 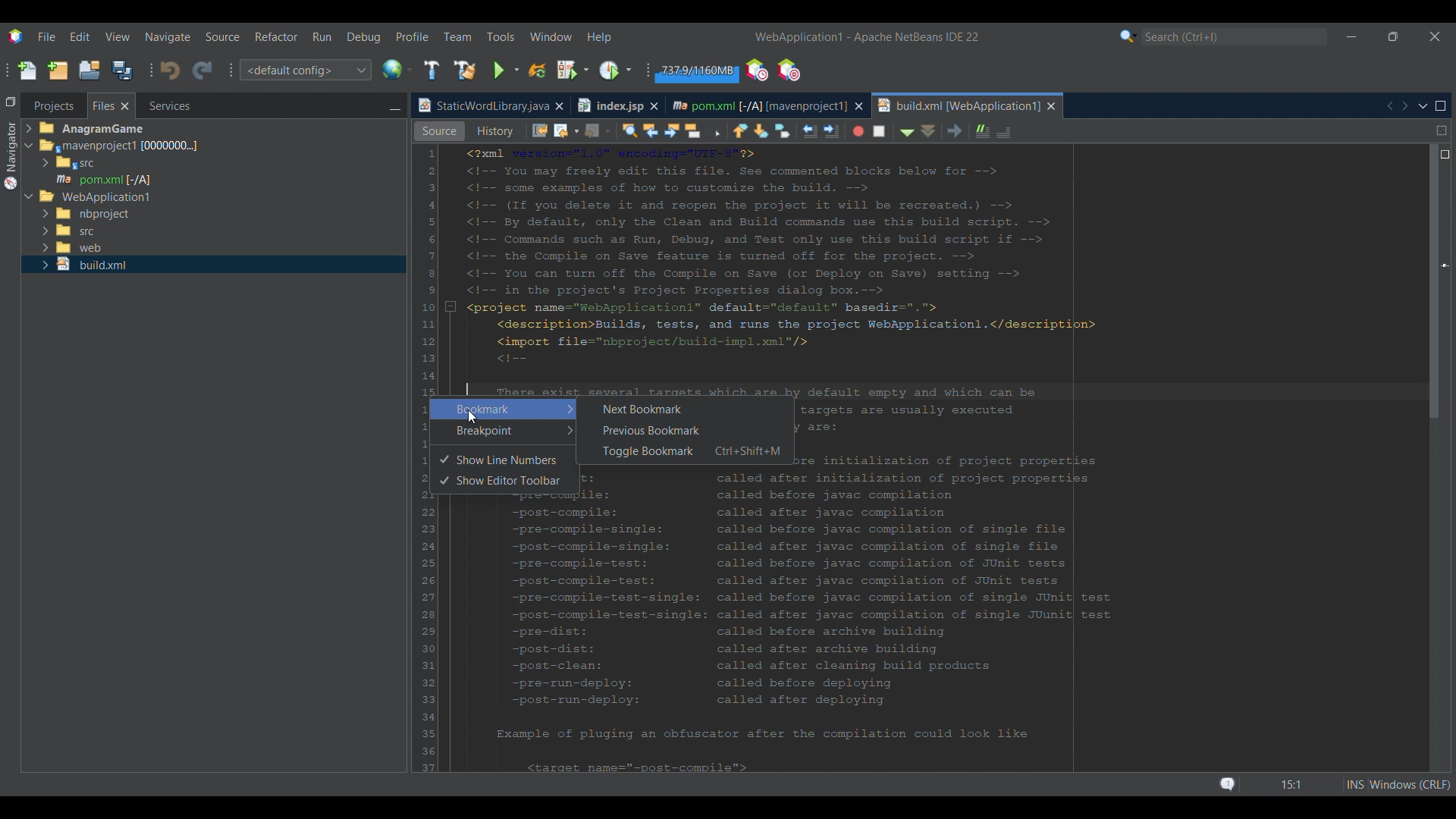 I want to click on Status bar details changed, so click(x=1334, y=784).